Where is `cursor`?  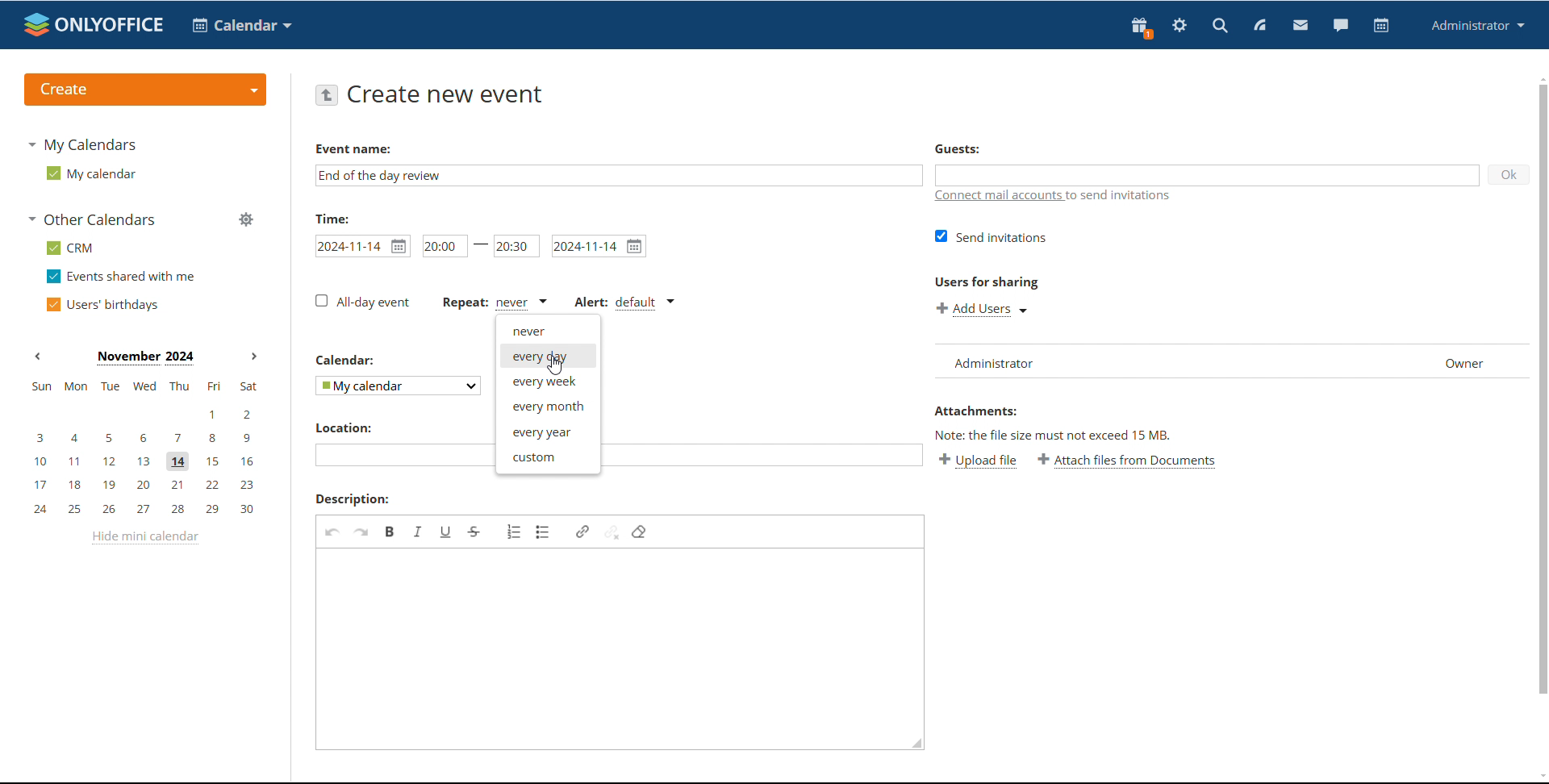
cursor is located at coordinates (555, 365).